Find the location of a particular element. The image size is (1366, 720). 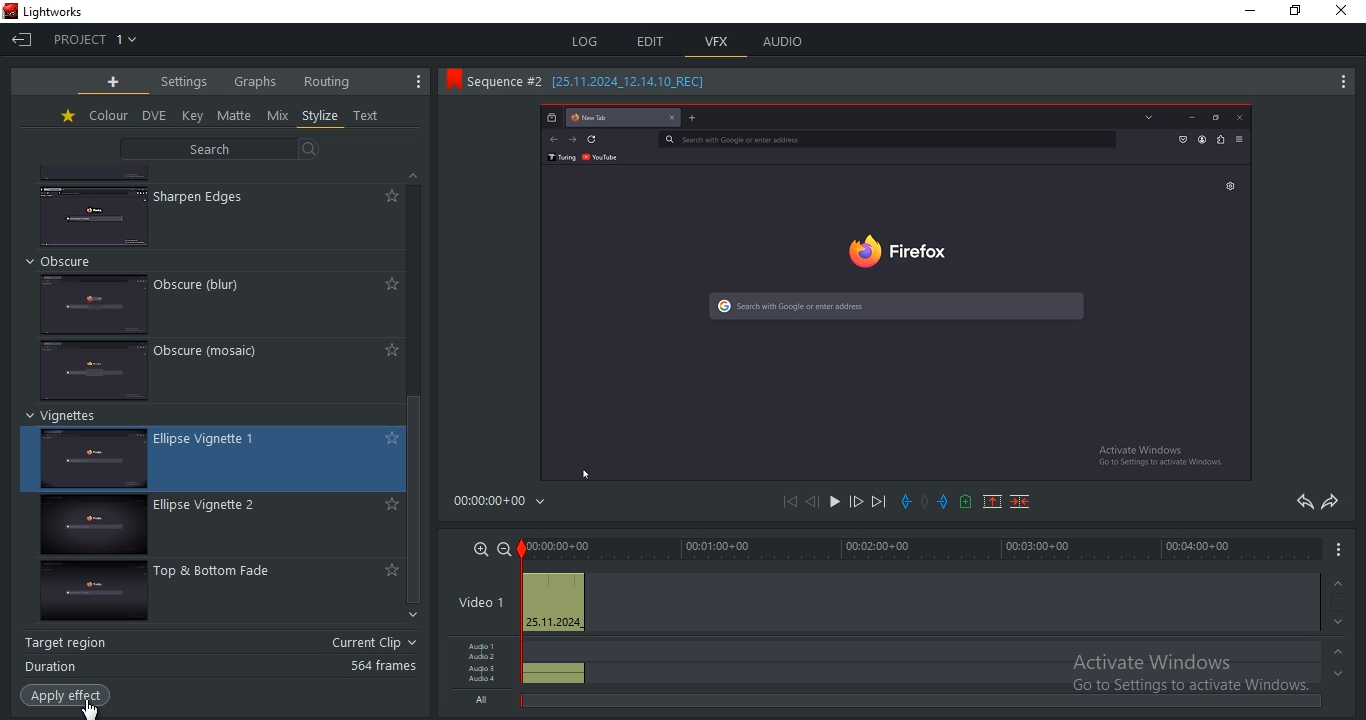

text is located at coordinates (369, 117).